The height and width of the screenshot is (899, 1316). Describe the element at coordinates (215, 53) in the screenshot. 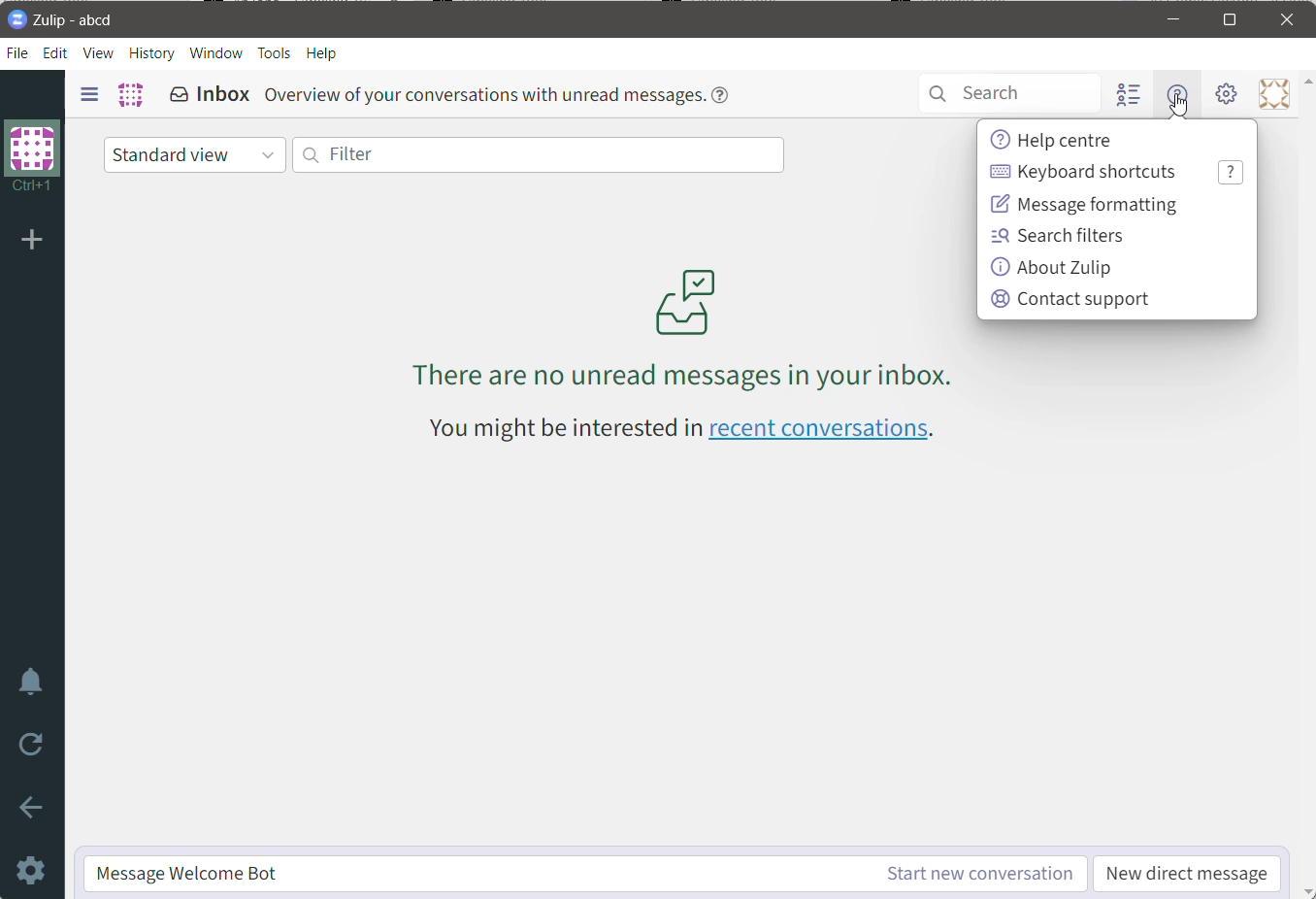

I see `Window` at that location.